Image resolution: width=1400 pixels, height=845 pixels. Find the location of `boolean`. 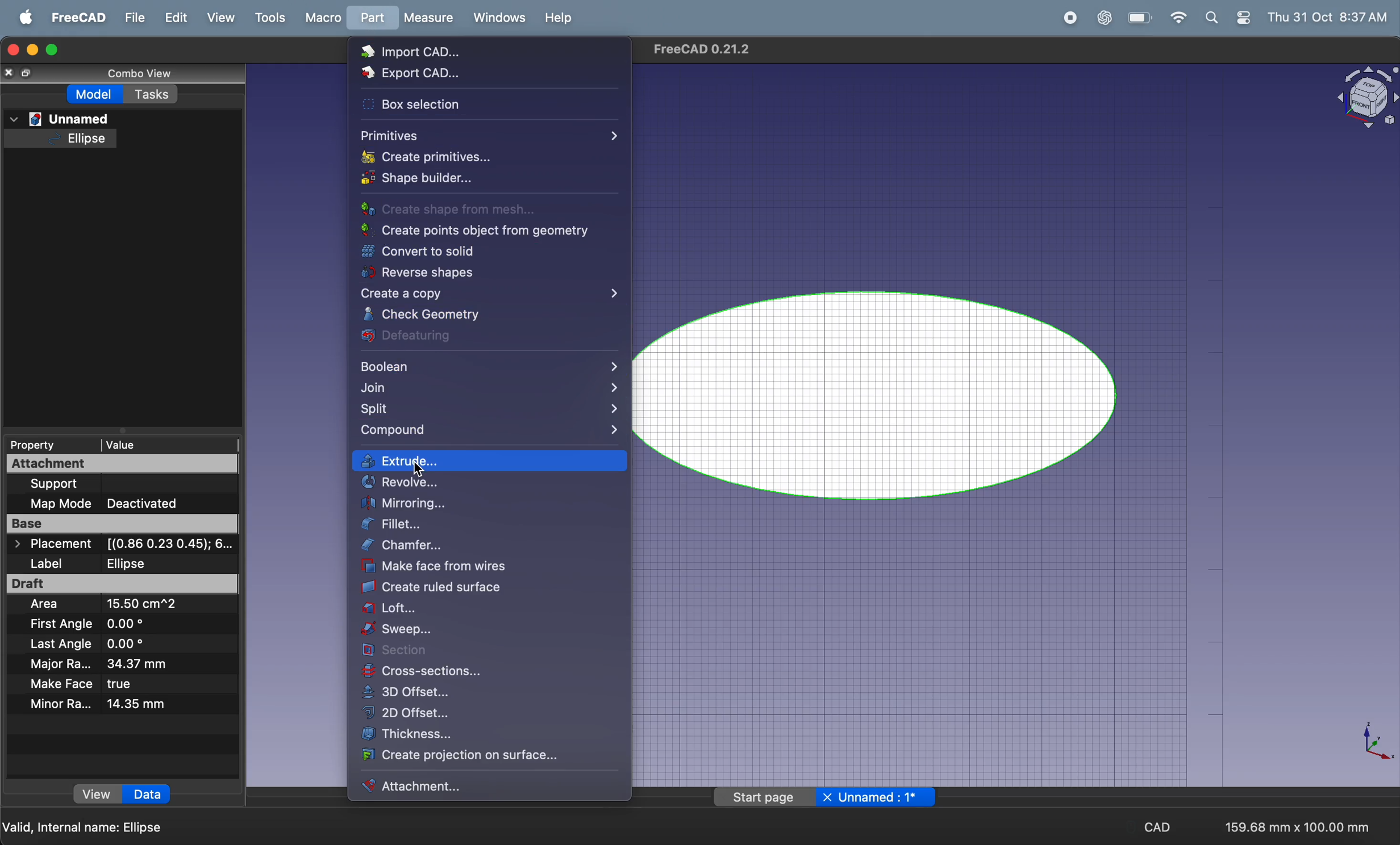

boolean is located at coordinates (491, 367).